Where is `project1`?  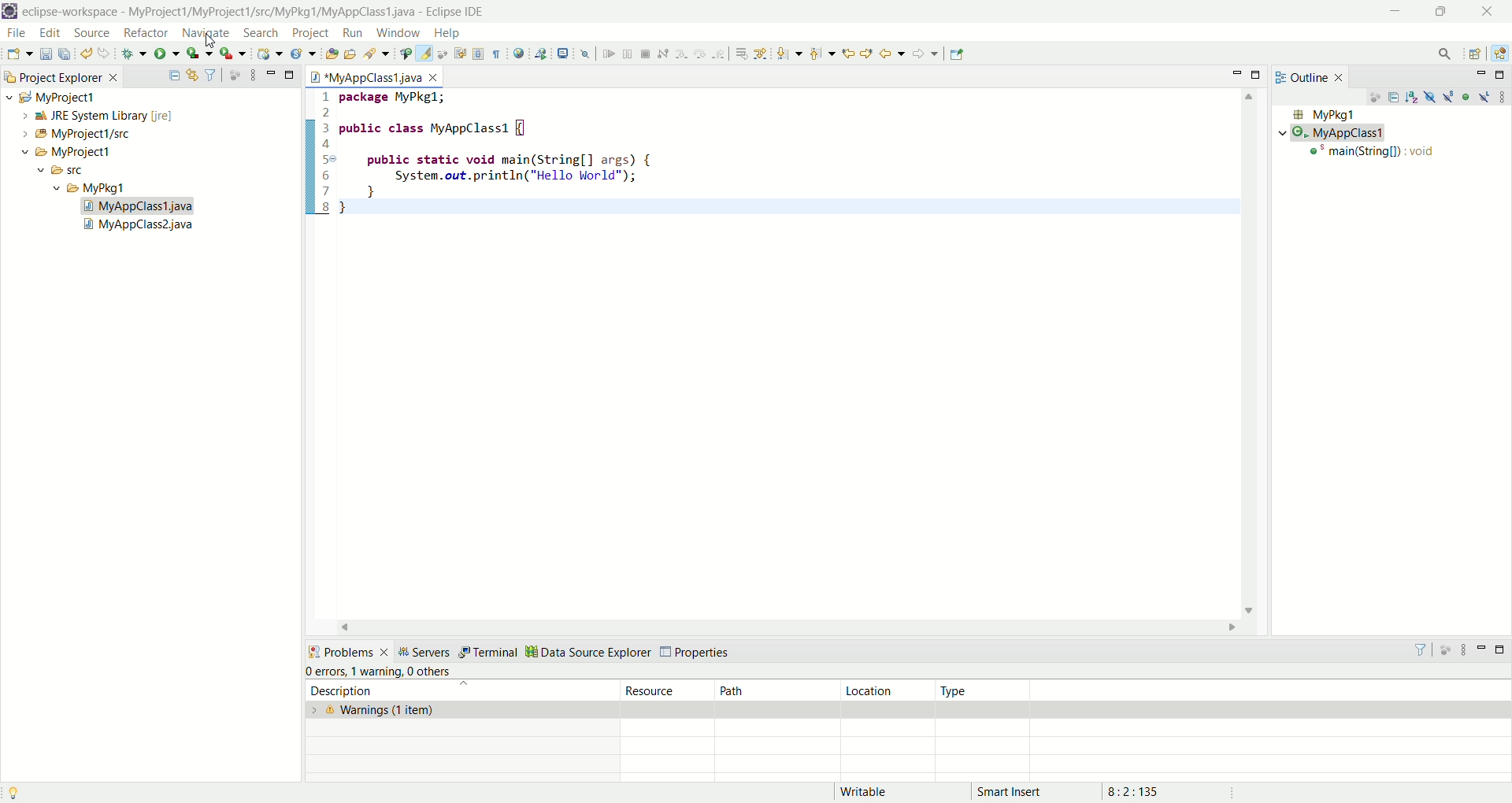
project1 is located at coordinates (57, 152).